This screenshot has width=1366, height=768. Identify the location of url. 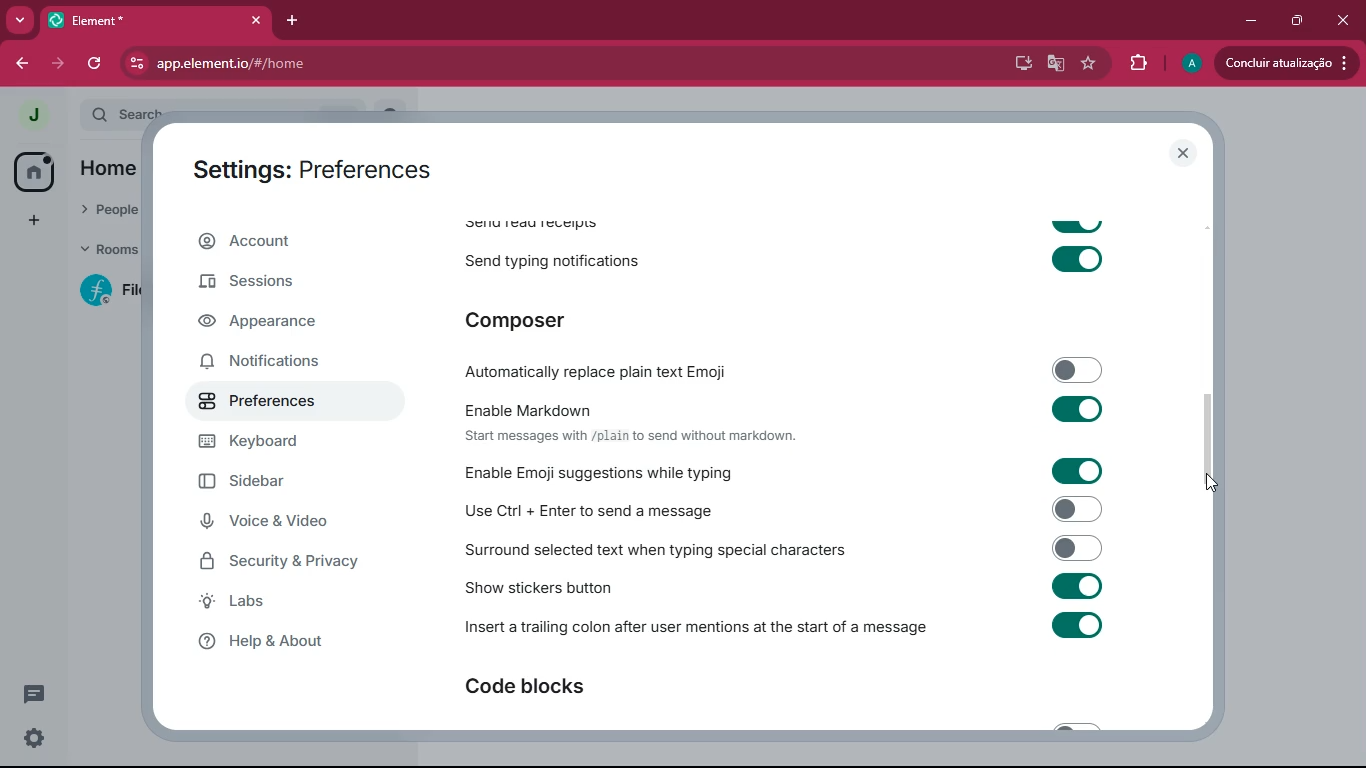
(300, 64).